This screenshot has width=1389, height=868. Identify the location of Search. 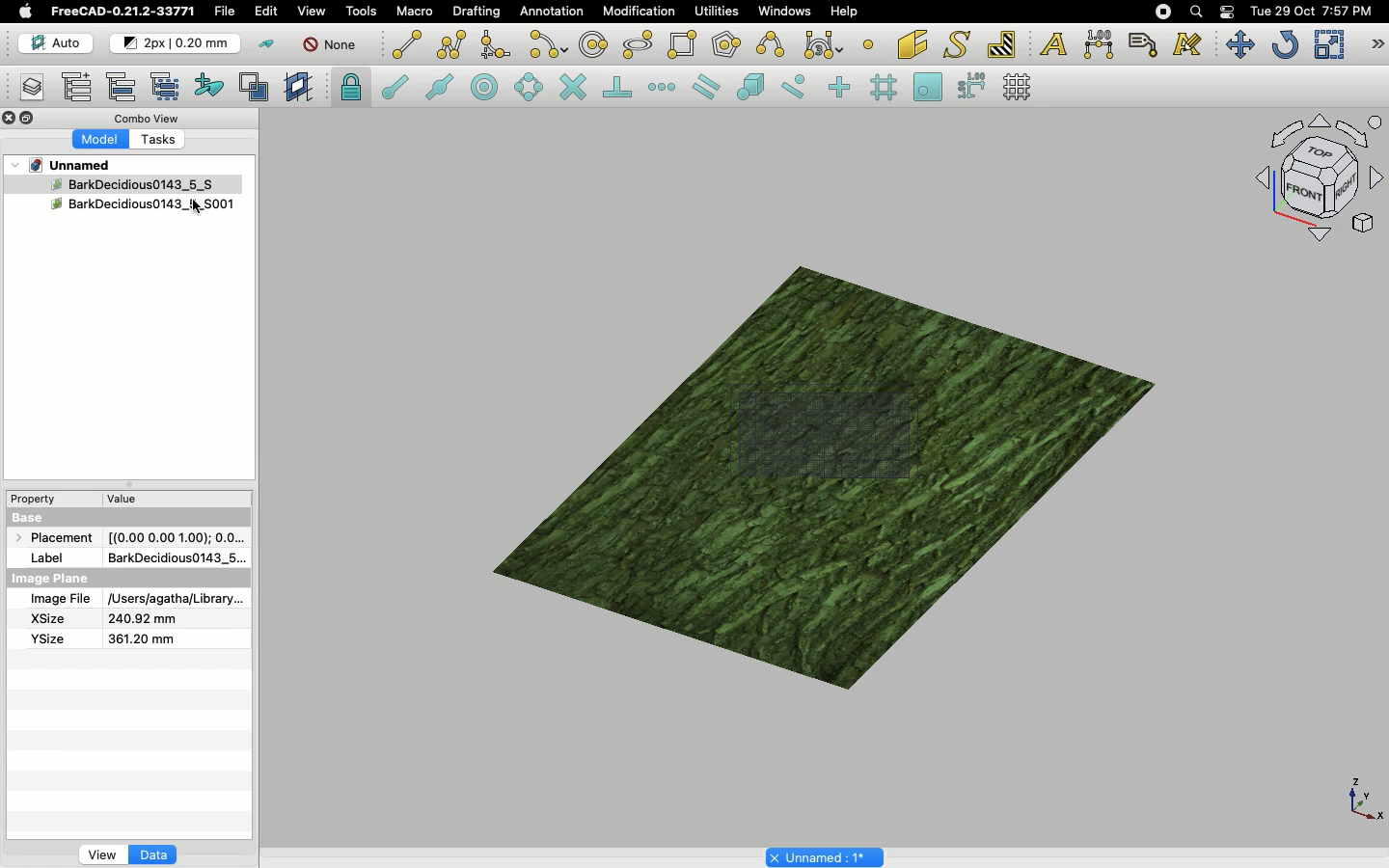
(1195, 12).